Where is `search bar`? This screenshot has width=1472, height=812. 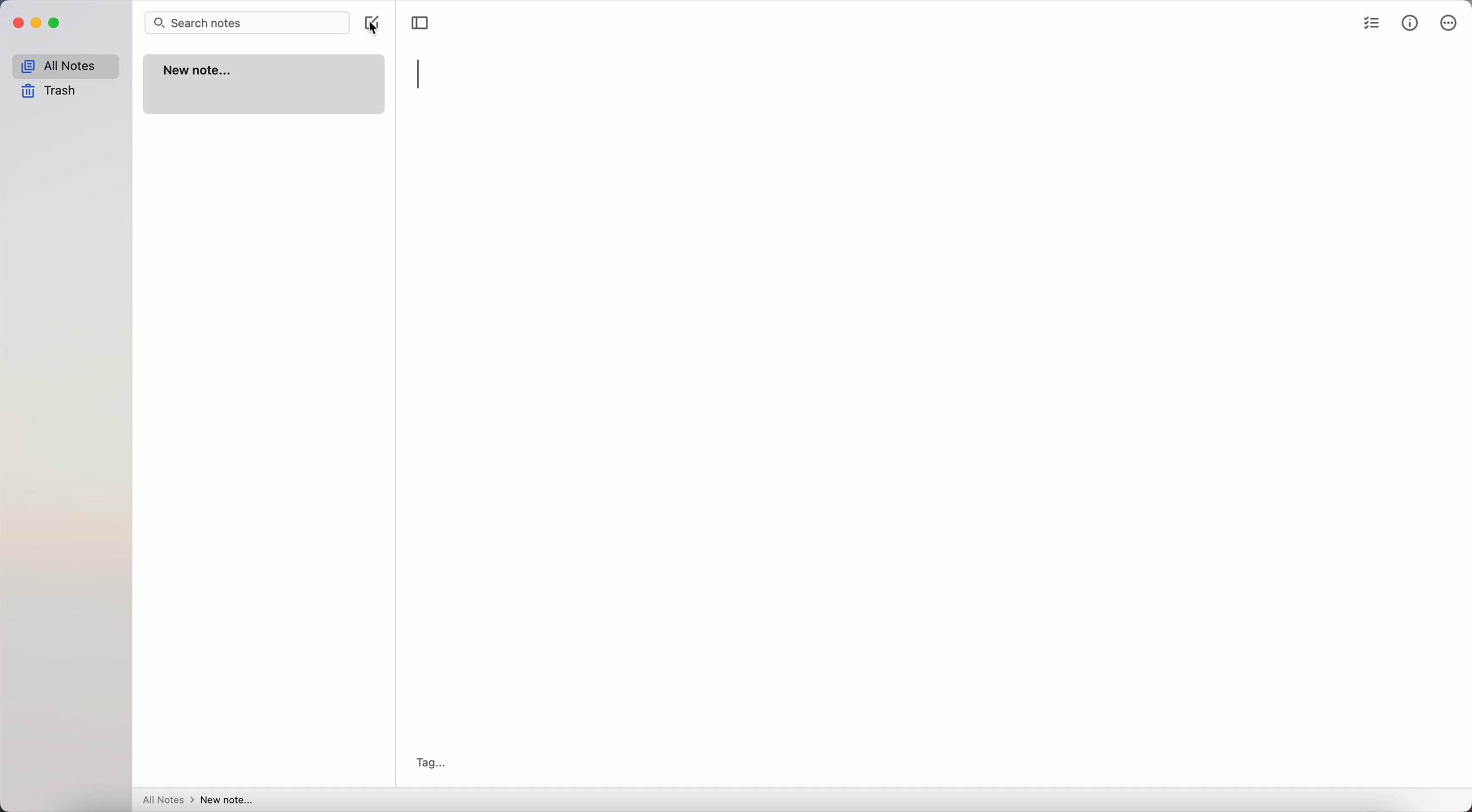 search bar is located at coordinates (246, 22).